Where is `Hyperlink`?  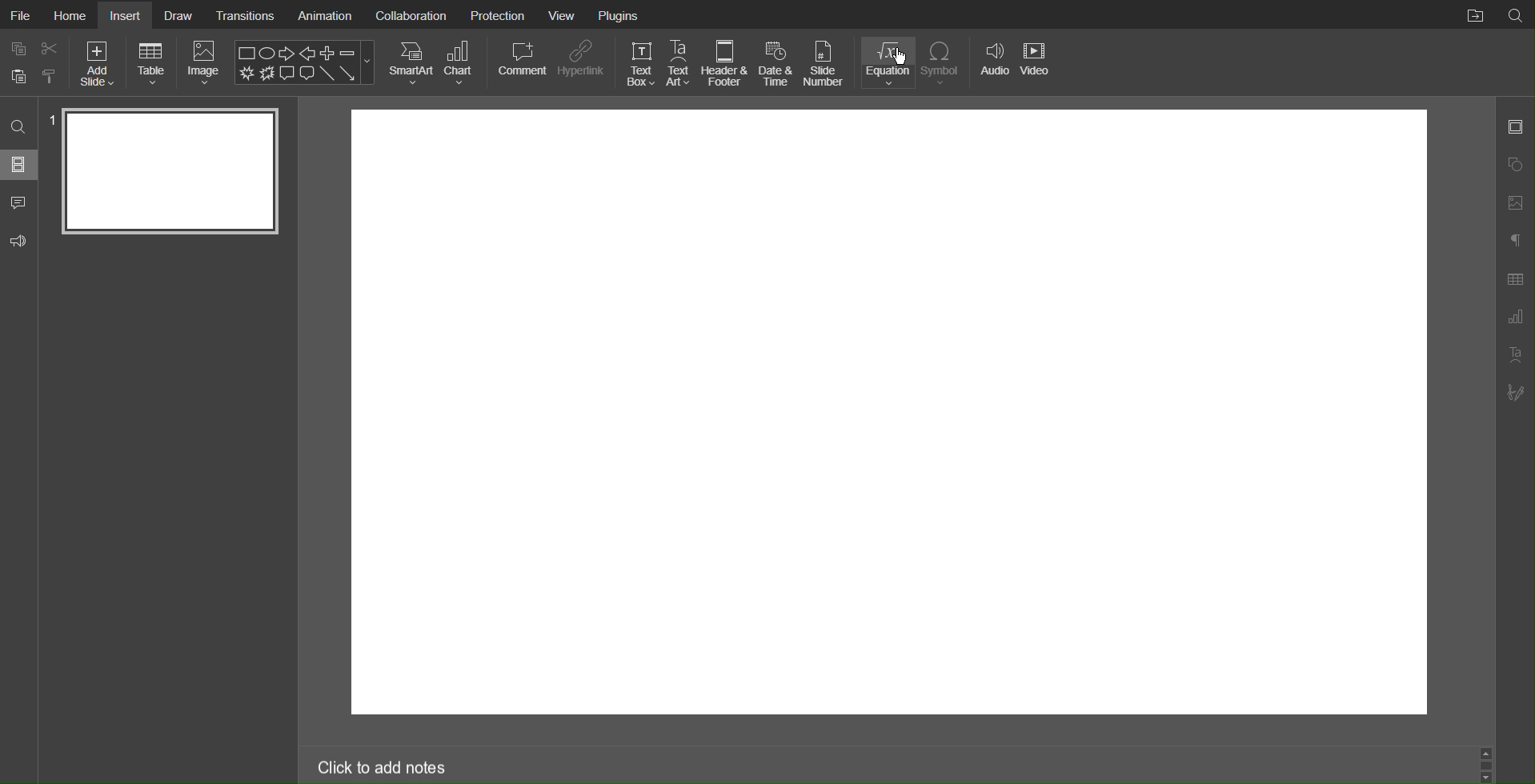 Hyperlink is located at coordinates (583, 62).